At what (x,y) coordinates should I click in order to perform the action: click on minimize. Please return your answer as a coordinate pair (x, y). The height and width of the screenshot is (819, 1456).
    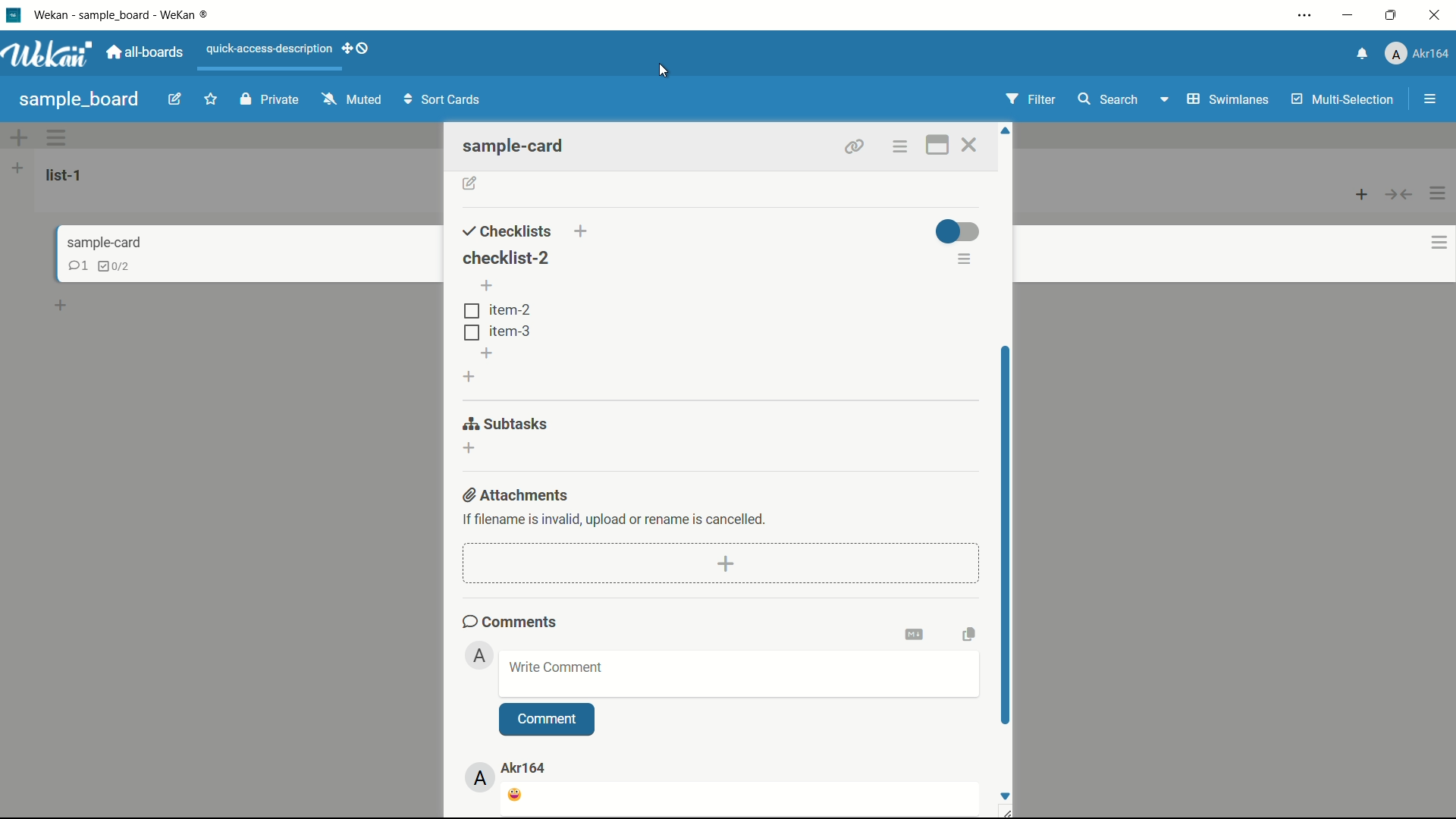
    Looking at the image, I should click on (1350, 15).